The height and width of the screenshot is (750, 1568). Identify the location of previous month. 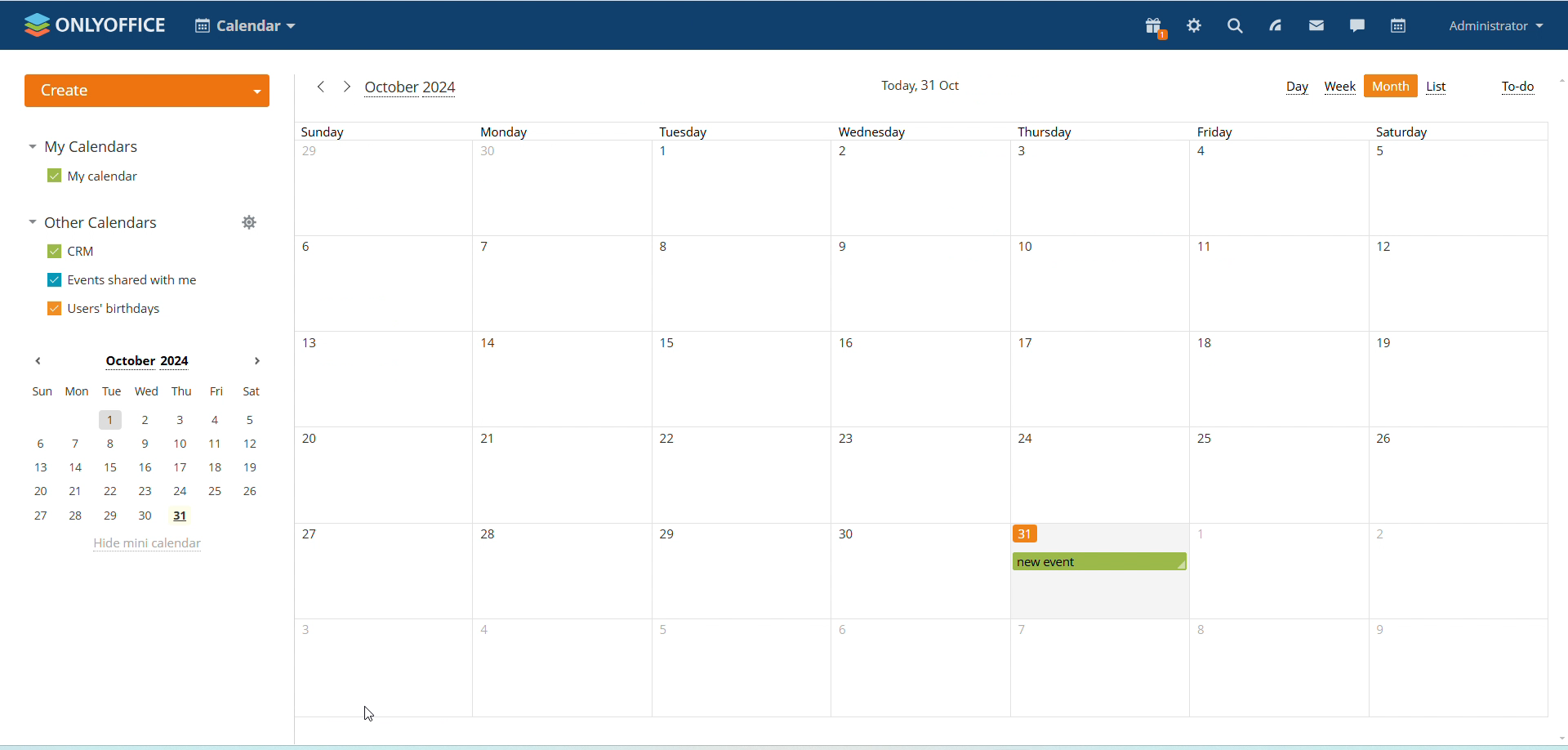
(38, 362).